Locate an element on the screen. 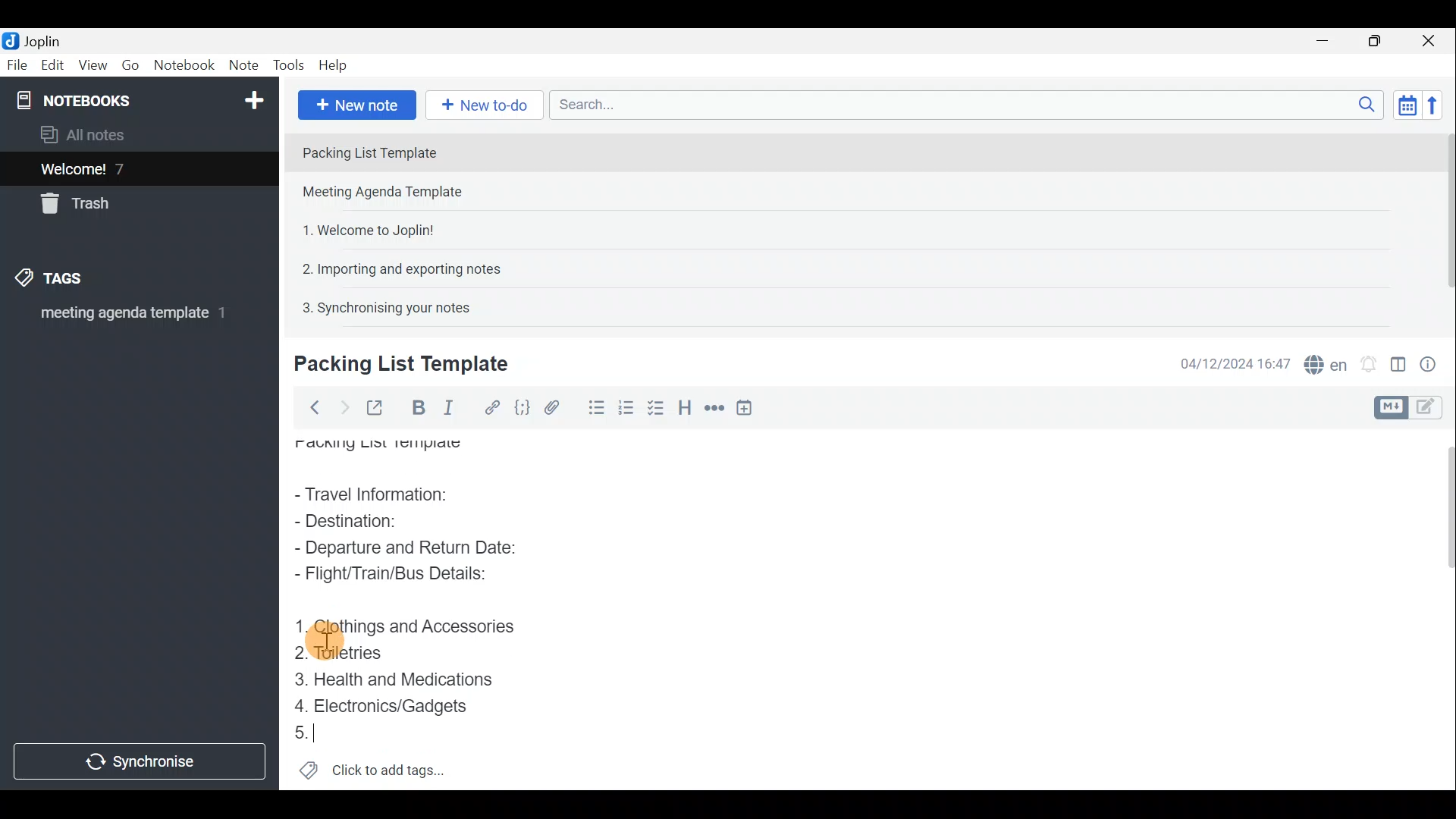  Reverse sort order is located at coordinates (1438, 104).